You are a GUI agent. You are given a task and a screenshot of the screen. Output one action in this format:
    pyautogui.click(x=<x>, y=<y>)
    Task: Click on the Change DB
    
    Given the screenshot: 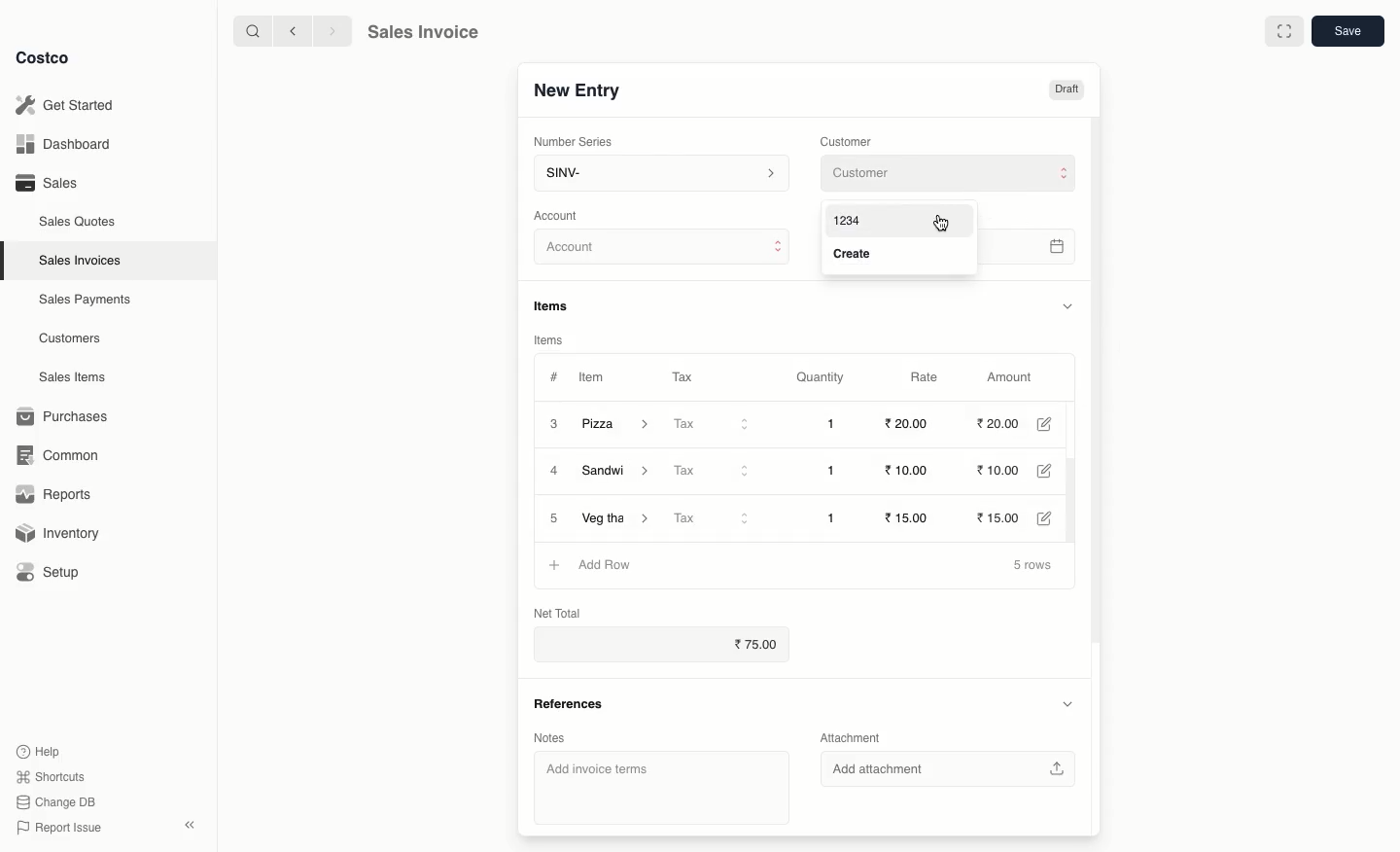 What is the action you would take?
    pyautogui.click(x=52, y=800)
    